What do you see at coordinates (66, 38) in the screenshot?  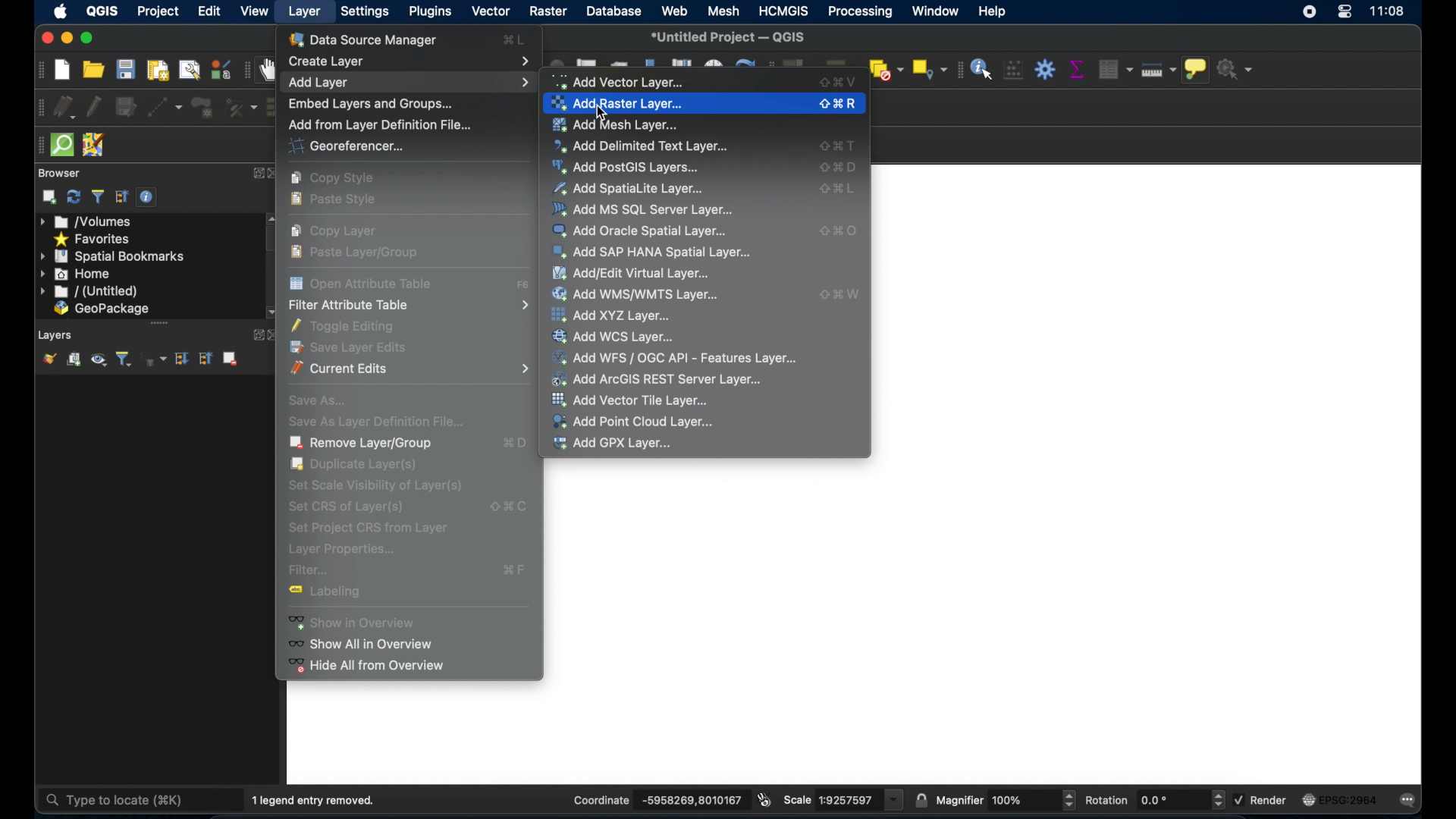 I see `minimize` at bounding box center [66, 38].